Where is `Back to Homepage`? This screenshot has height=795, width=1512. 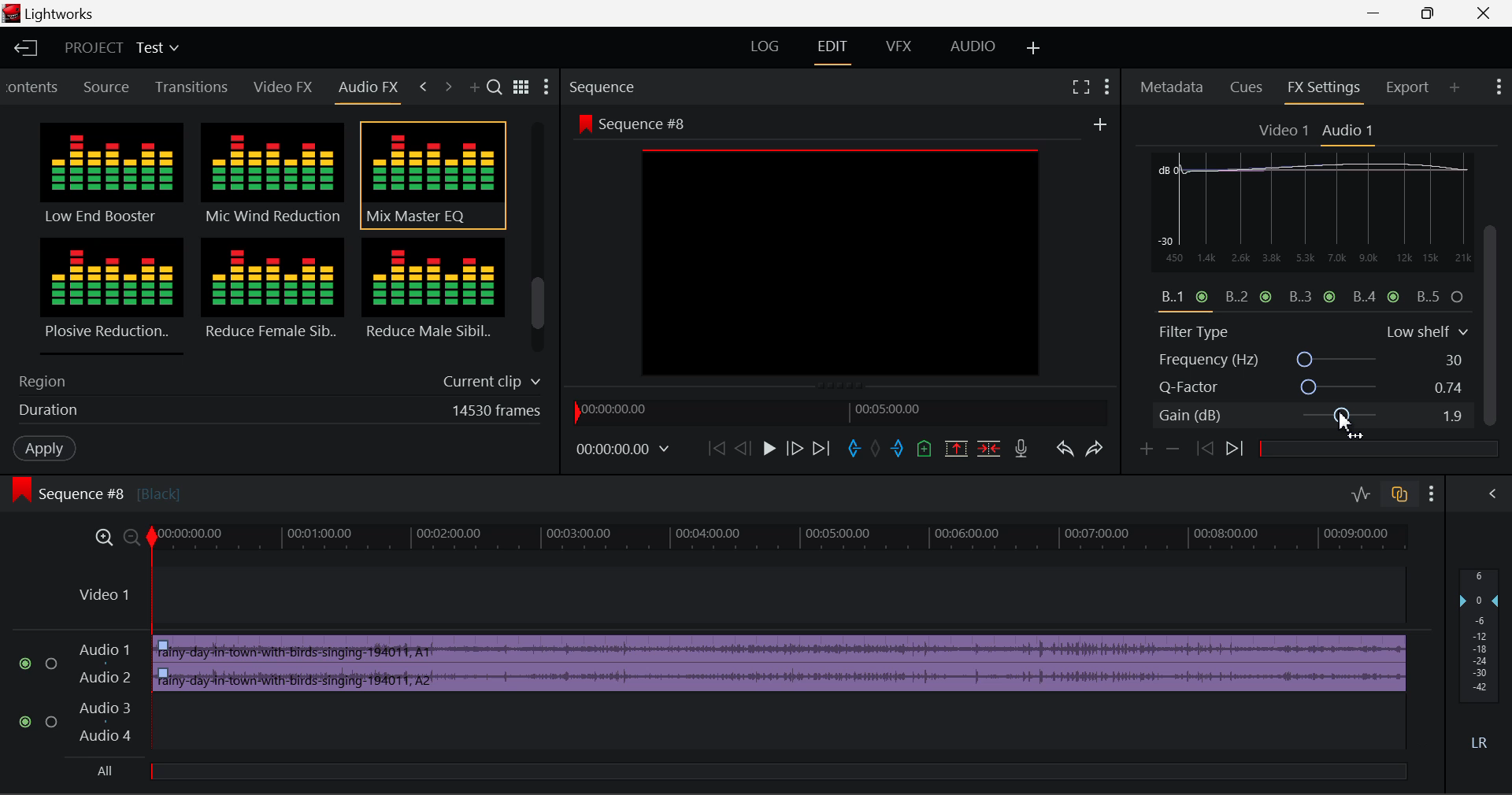 Back to Homepage is located at coordinates (24, 48).